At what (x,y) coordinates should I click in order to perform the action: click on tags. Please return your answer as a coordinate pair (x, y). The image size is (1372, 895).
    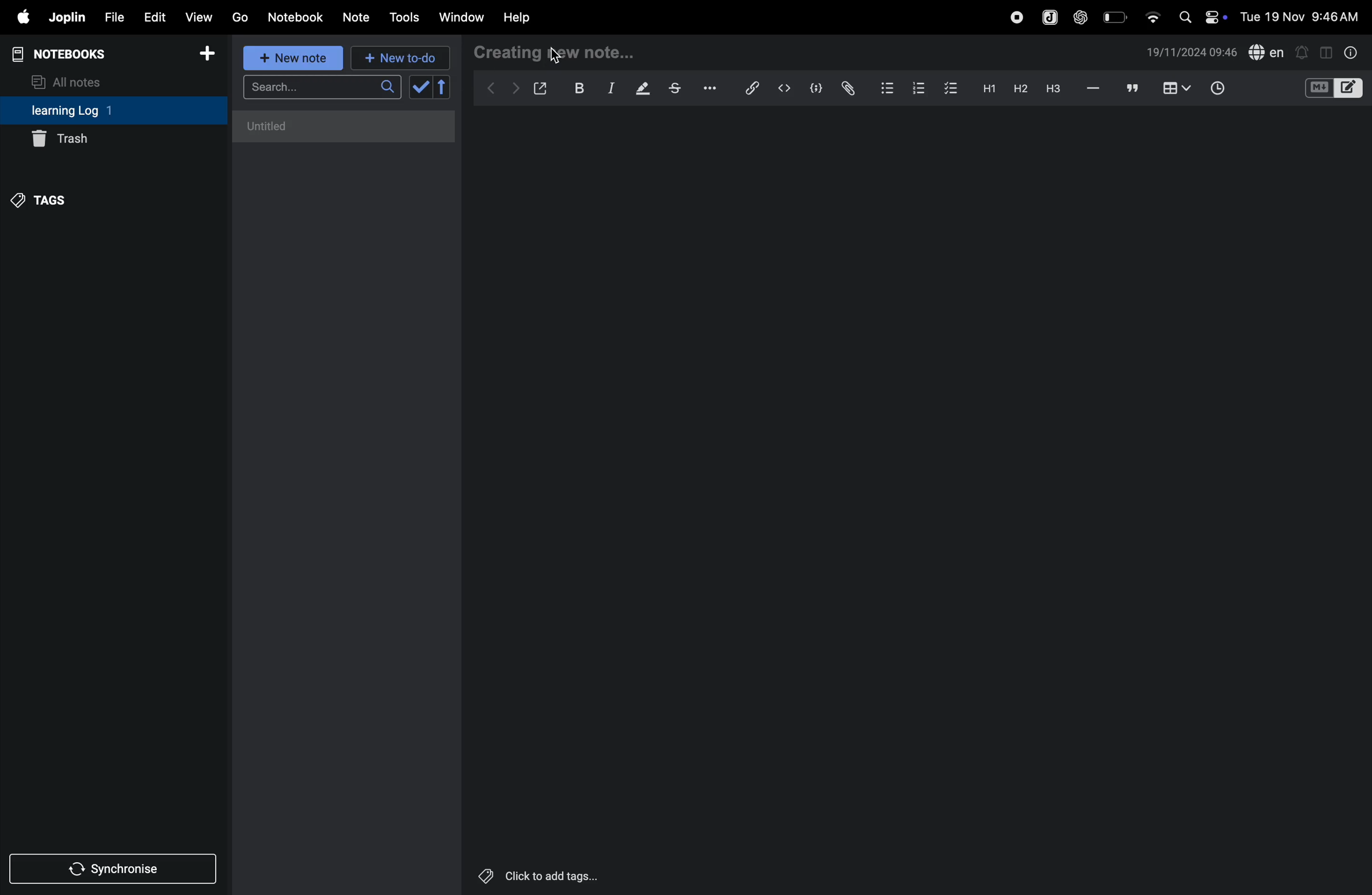
    Looking at the image, I should click on (42, 198).